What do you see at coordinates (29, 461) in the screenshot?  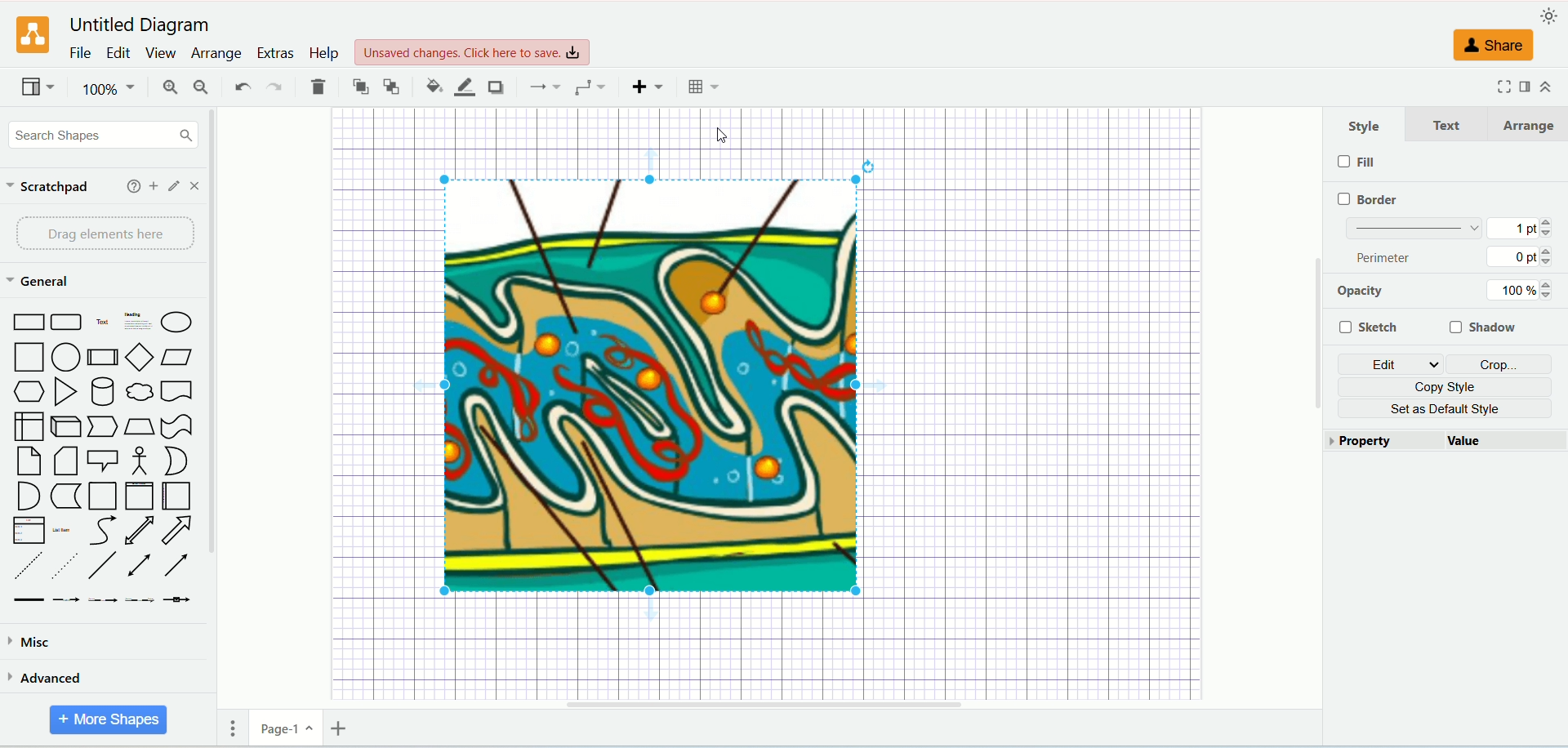 I see `Card` at bounding box center [29, 461].